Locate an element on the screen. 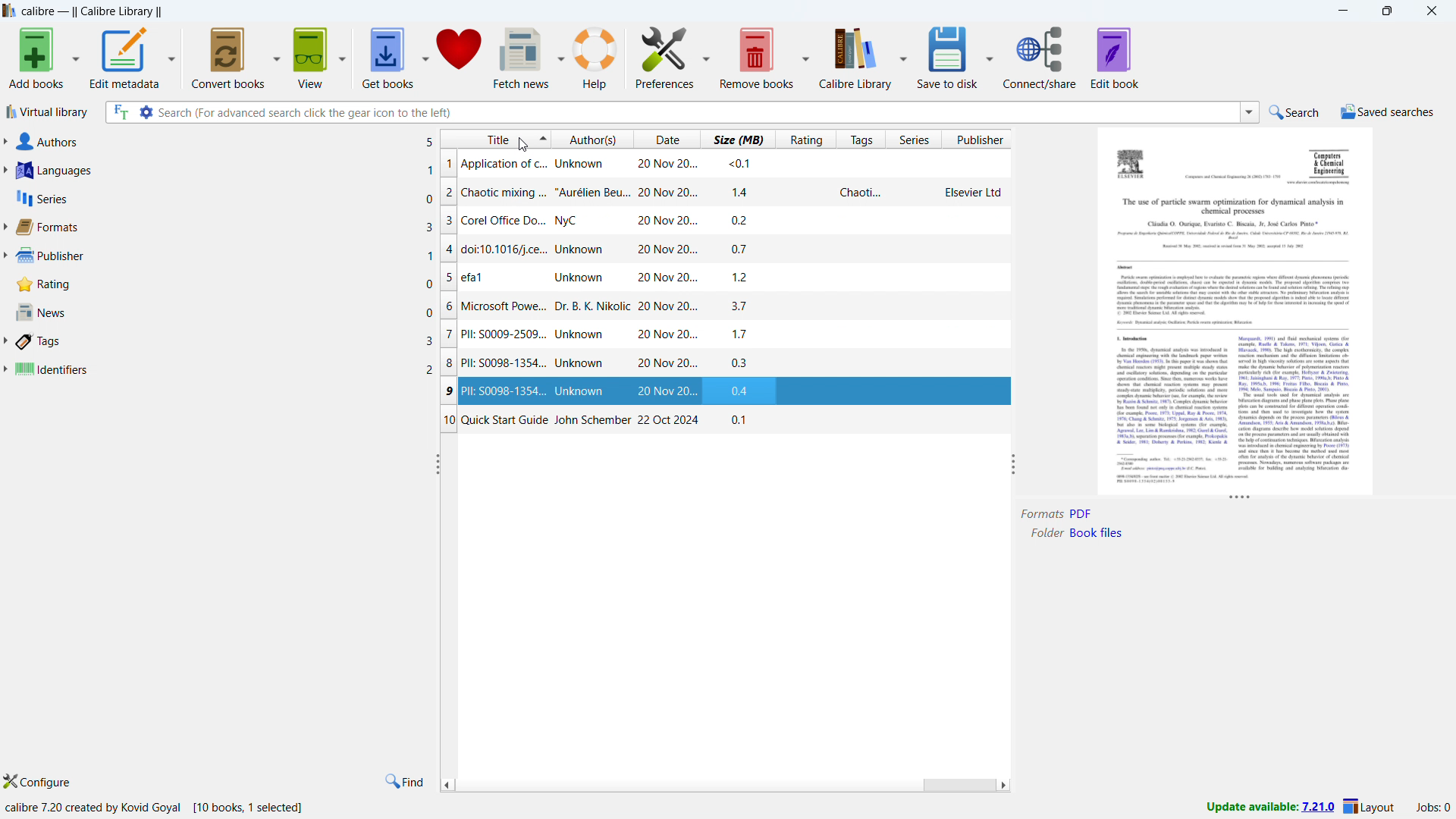 The width and height of the screenshot is (1456, 819). get books options is located at coordinates (422, 55).